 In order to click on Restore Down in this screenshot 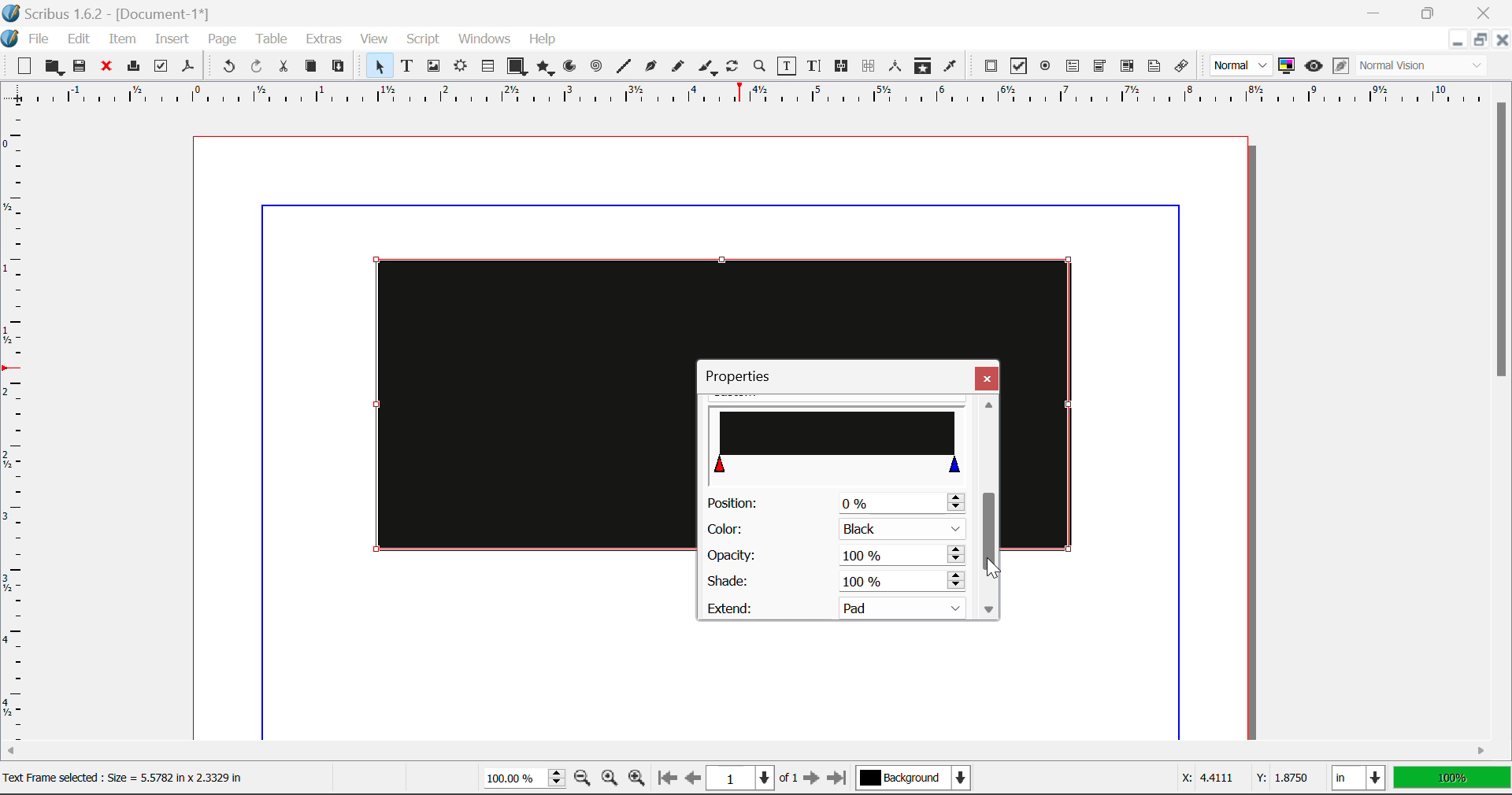, I will do `click(1456, 40)`.